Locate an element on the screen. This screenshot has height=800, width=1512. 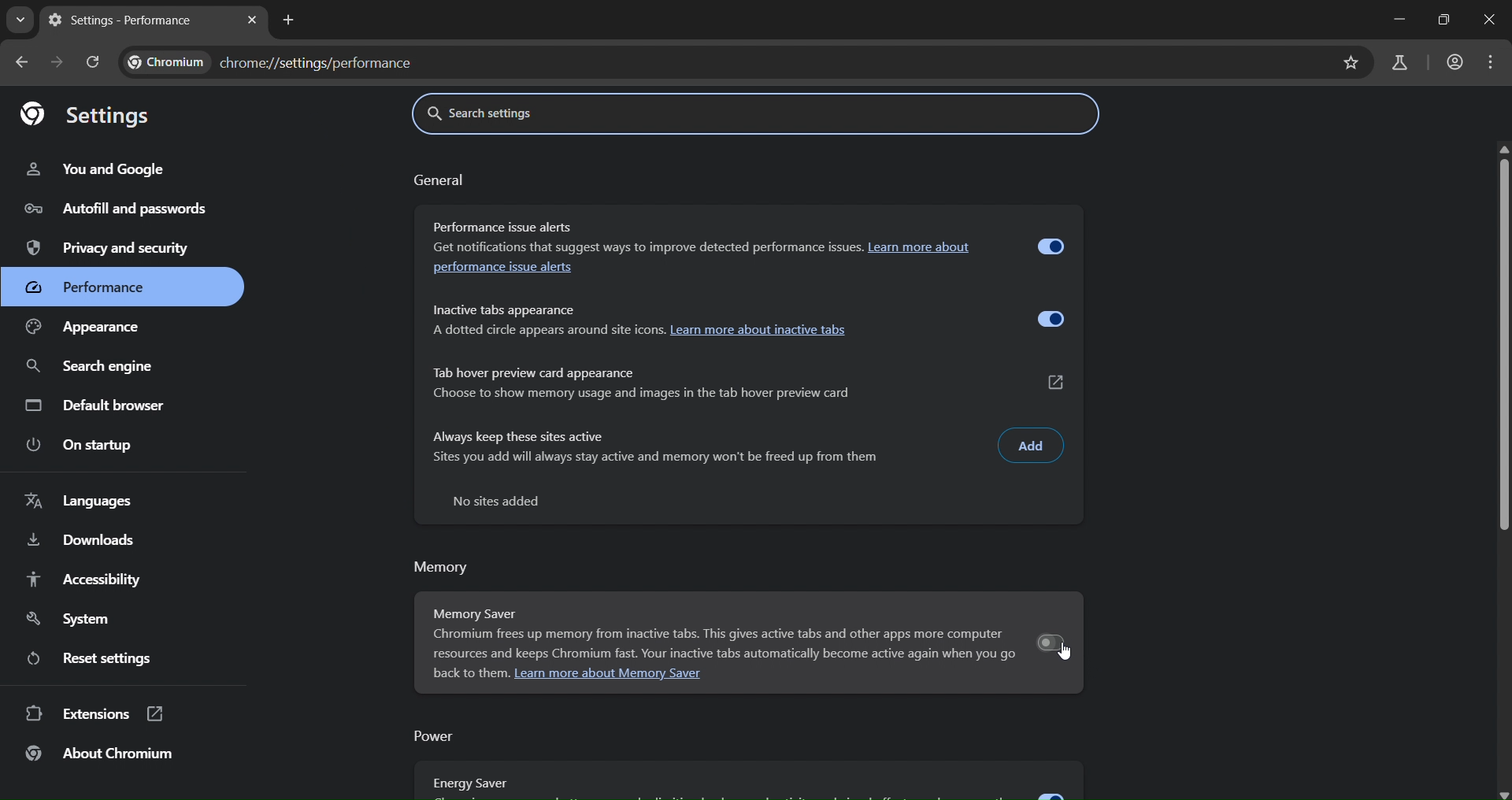
About Chromium is located at coordinates (99, 753).